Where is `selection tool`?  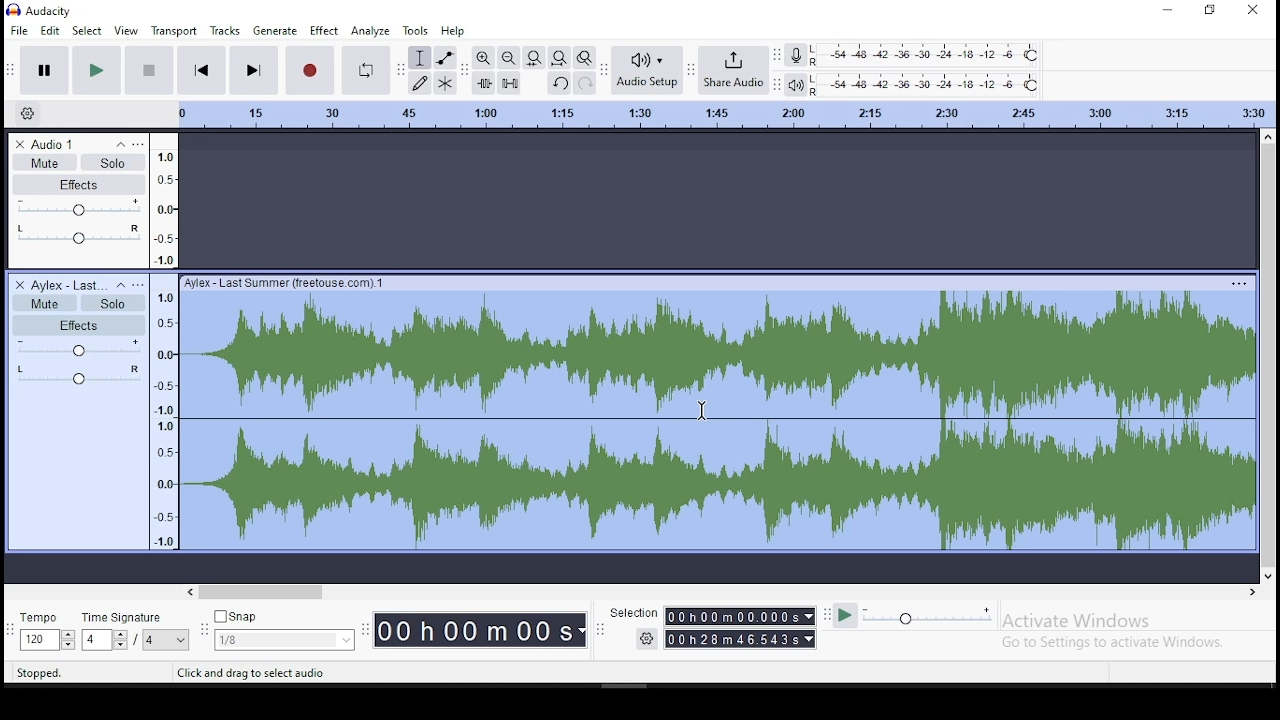
selection tool is located at coordinates (420, 57).